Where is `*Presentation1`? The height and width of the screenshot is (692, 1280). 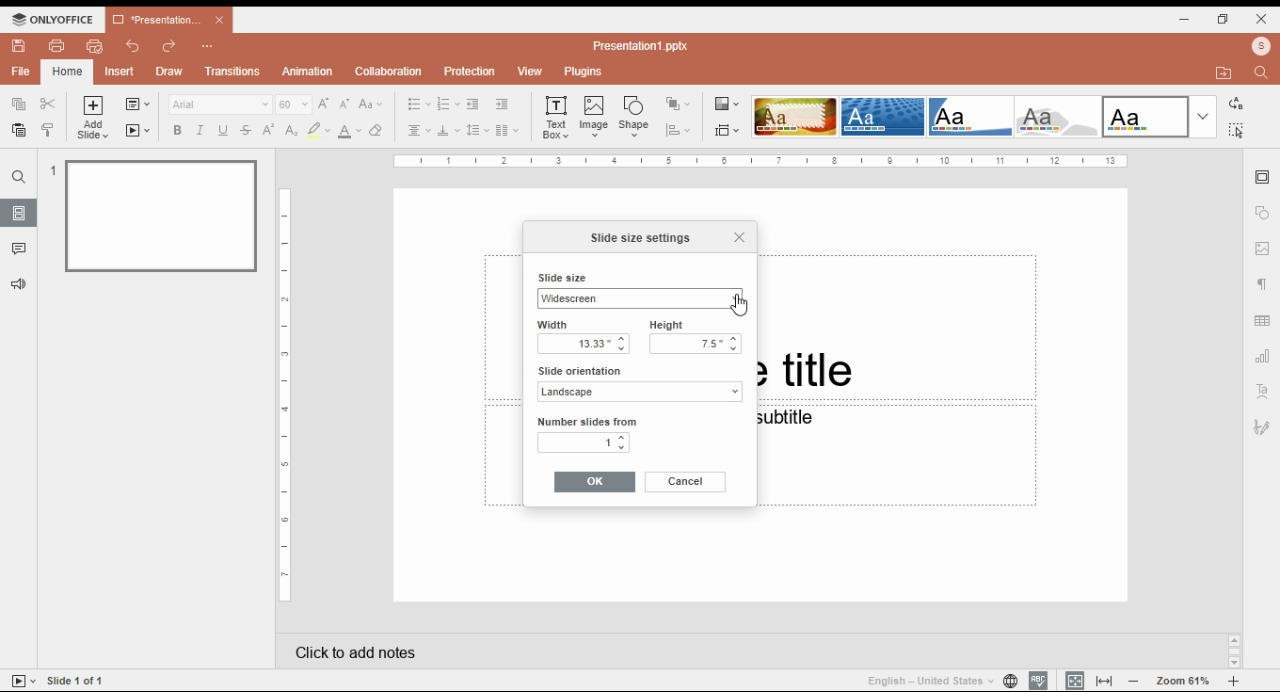
*Presentation1 is located at coordinates (169, 20).